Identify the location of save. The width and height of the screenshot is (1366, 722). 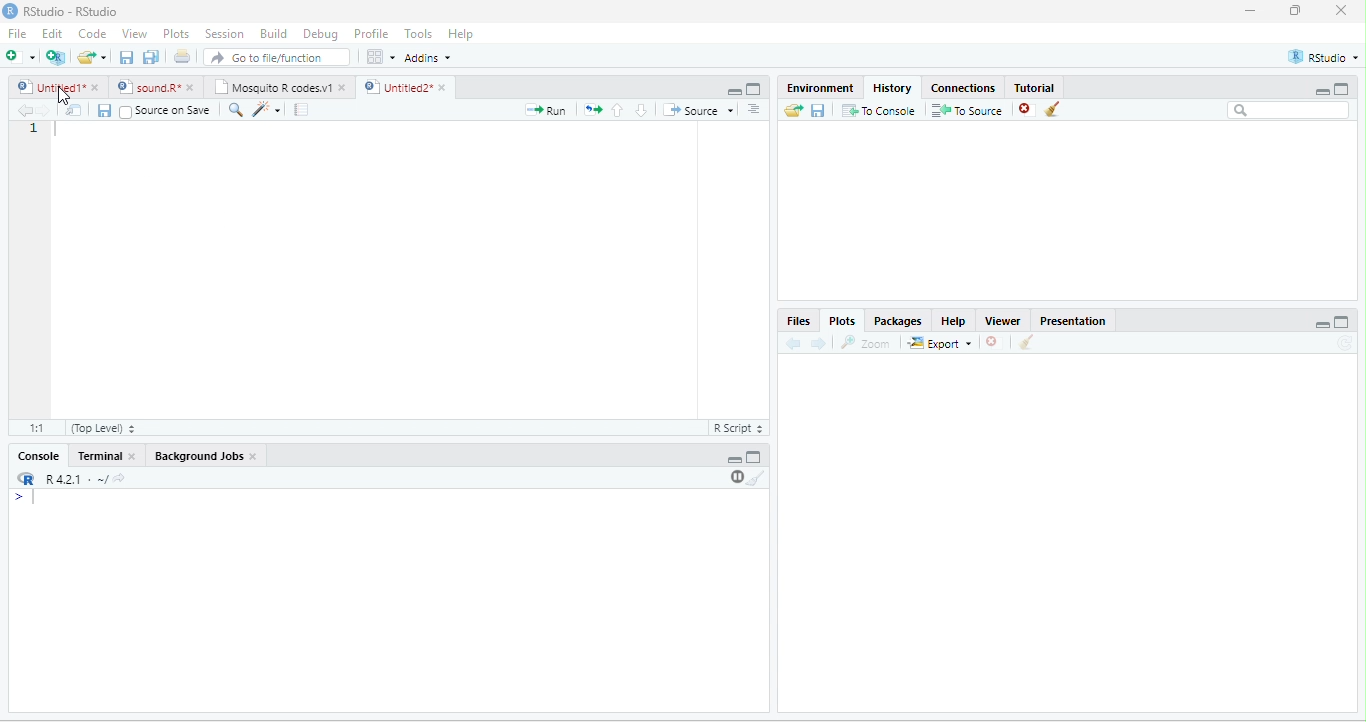
(104, 111).